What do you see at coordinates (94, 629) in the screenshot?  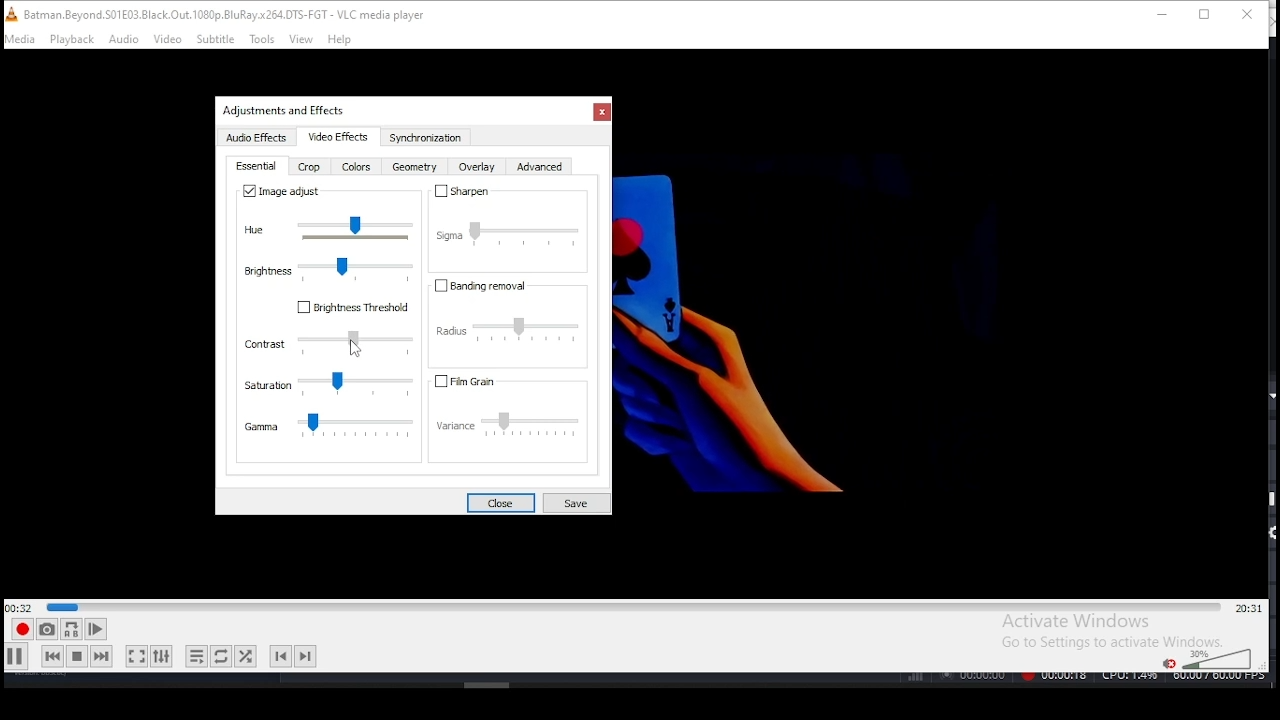 I see `frame by frame` at bounding box center [94, 629].